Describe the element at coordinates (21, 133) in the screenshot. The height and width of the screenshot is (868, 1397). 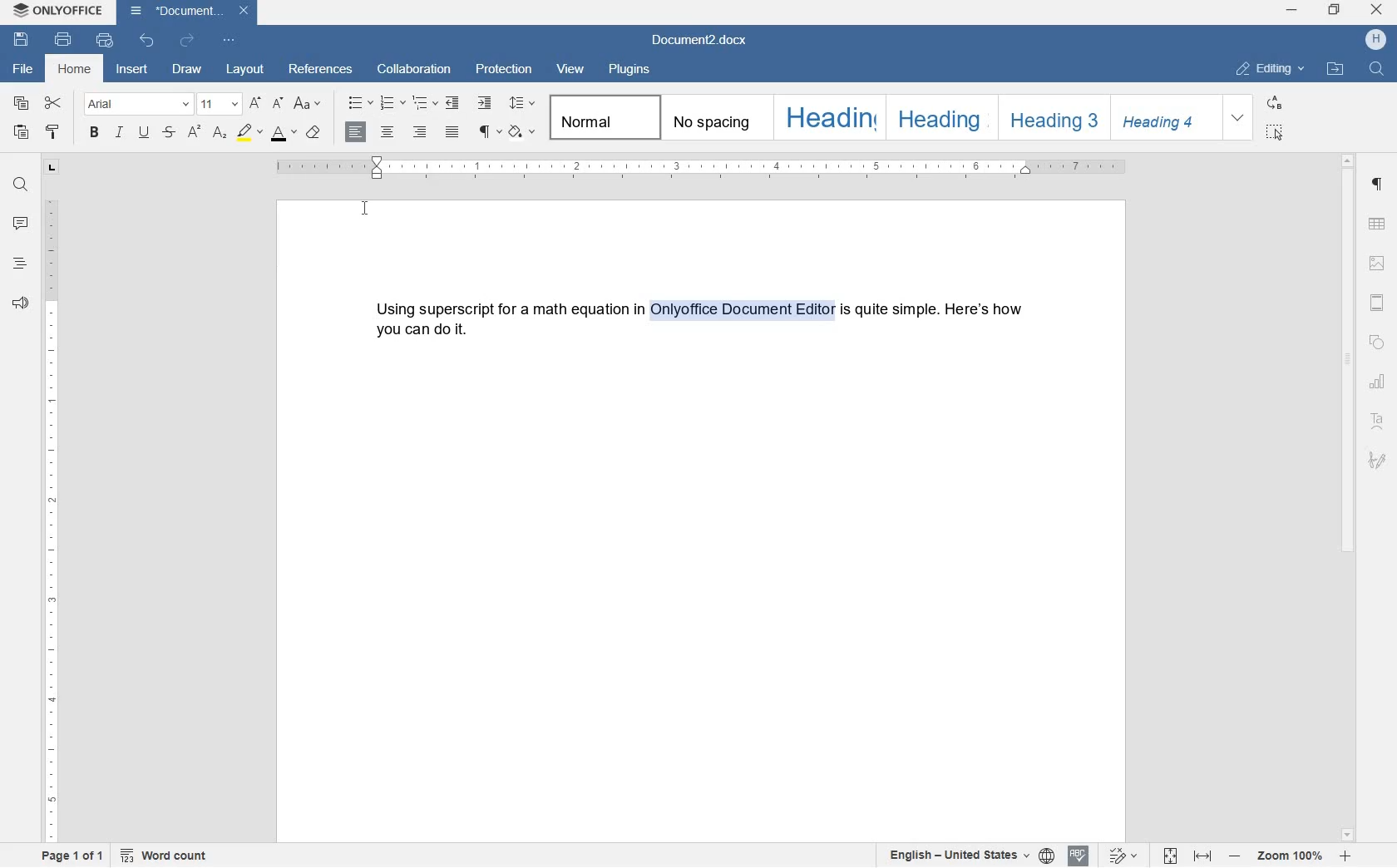
I see `paste` at that location.